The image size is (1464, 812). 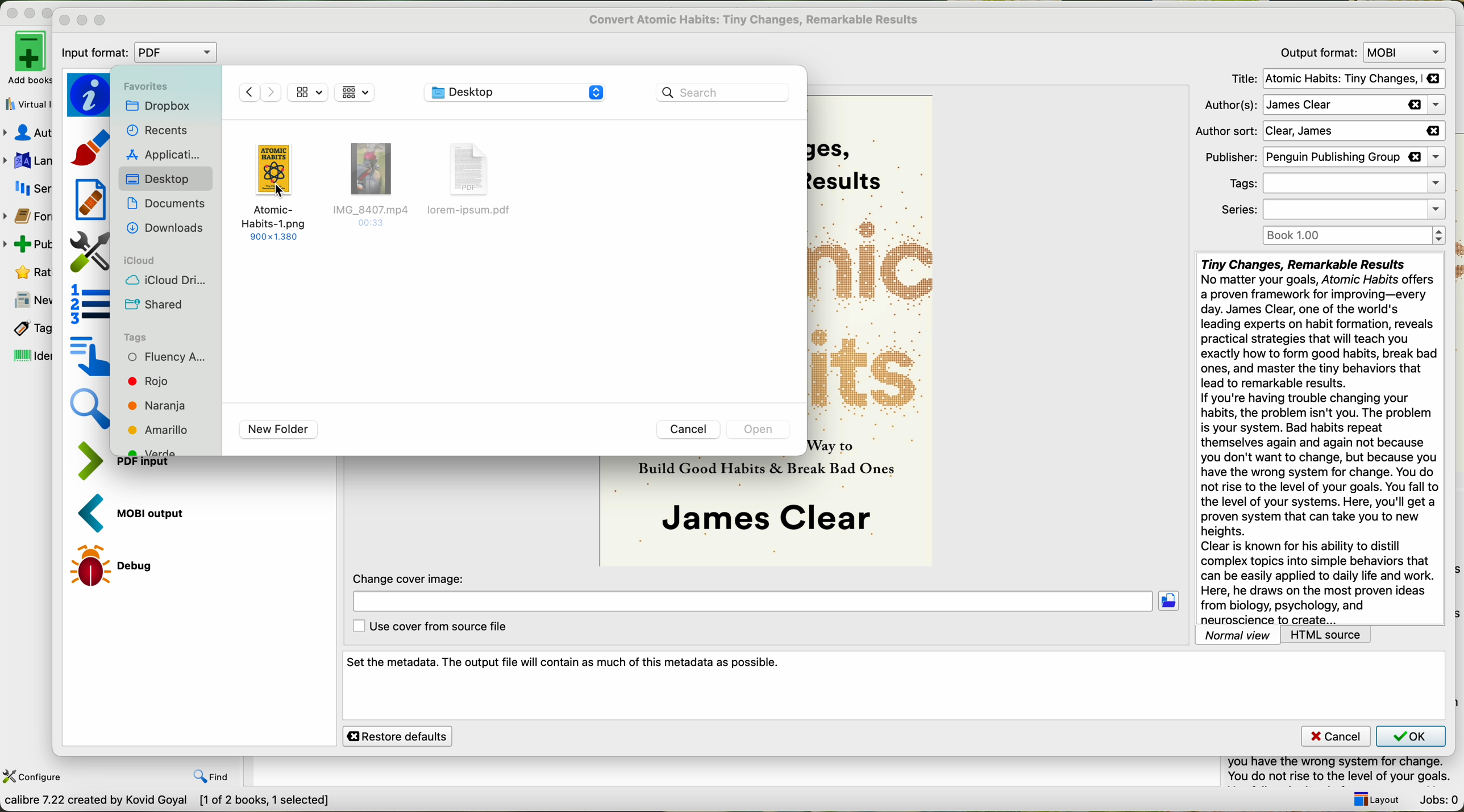 What do you see at coordinates (371, 184) in the screenshot?
I see `disable file` at bounding box center [371, 184].